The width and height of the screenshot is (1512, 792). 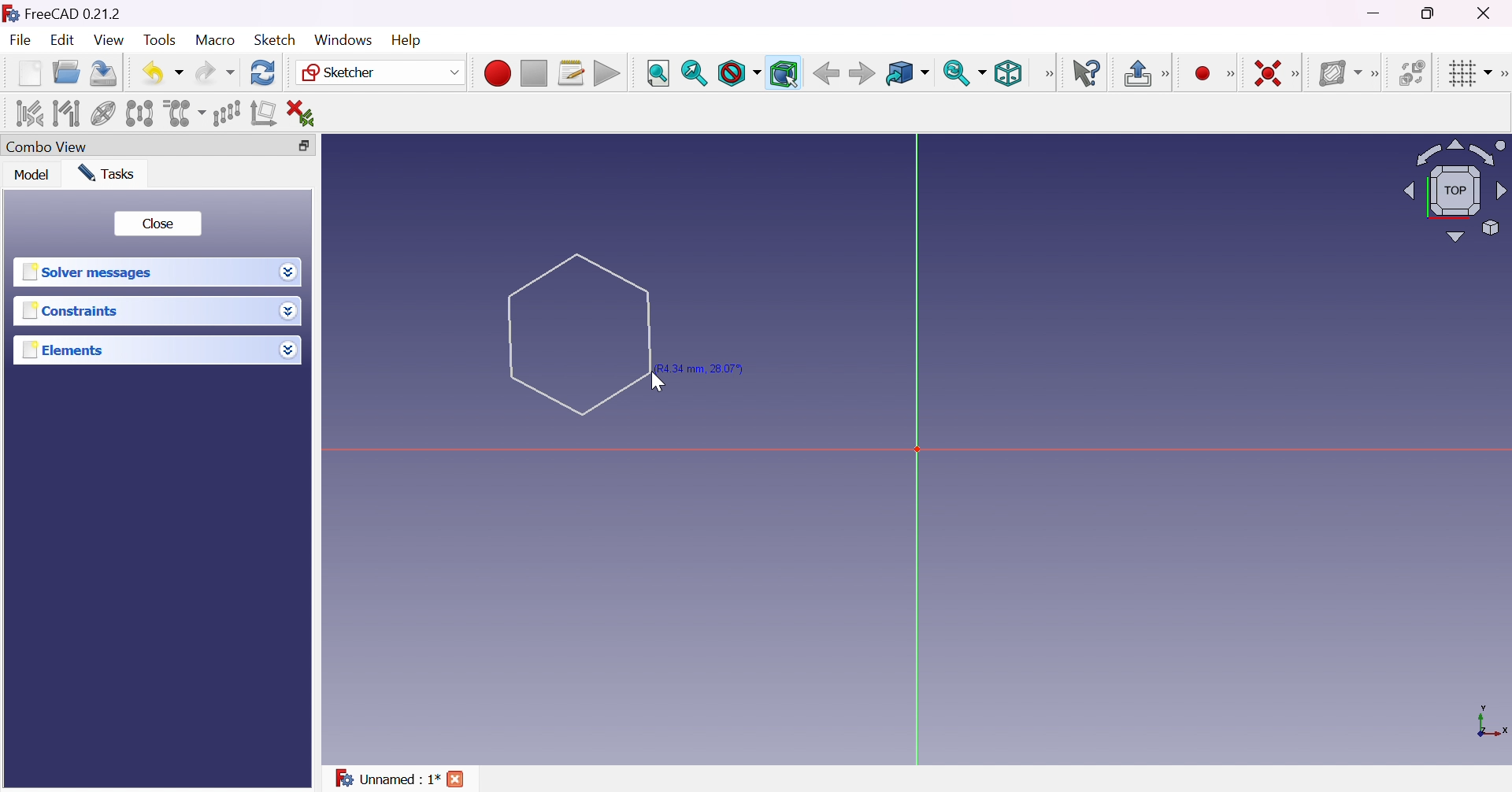 I want to click on Show/hide internal geometry, so click(x=104, y=116).